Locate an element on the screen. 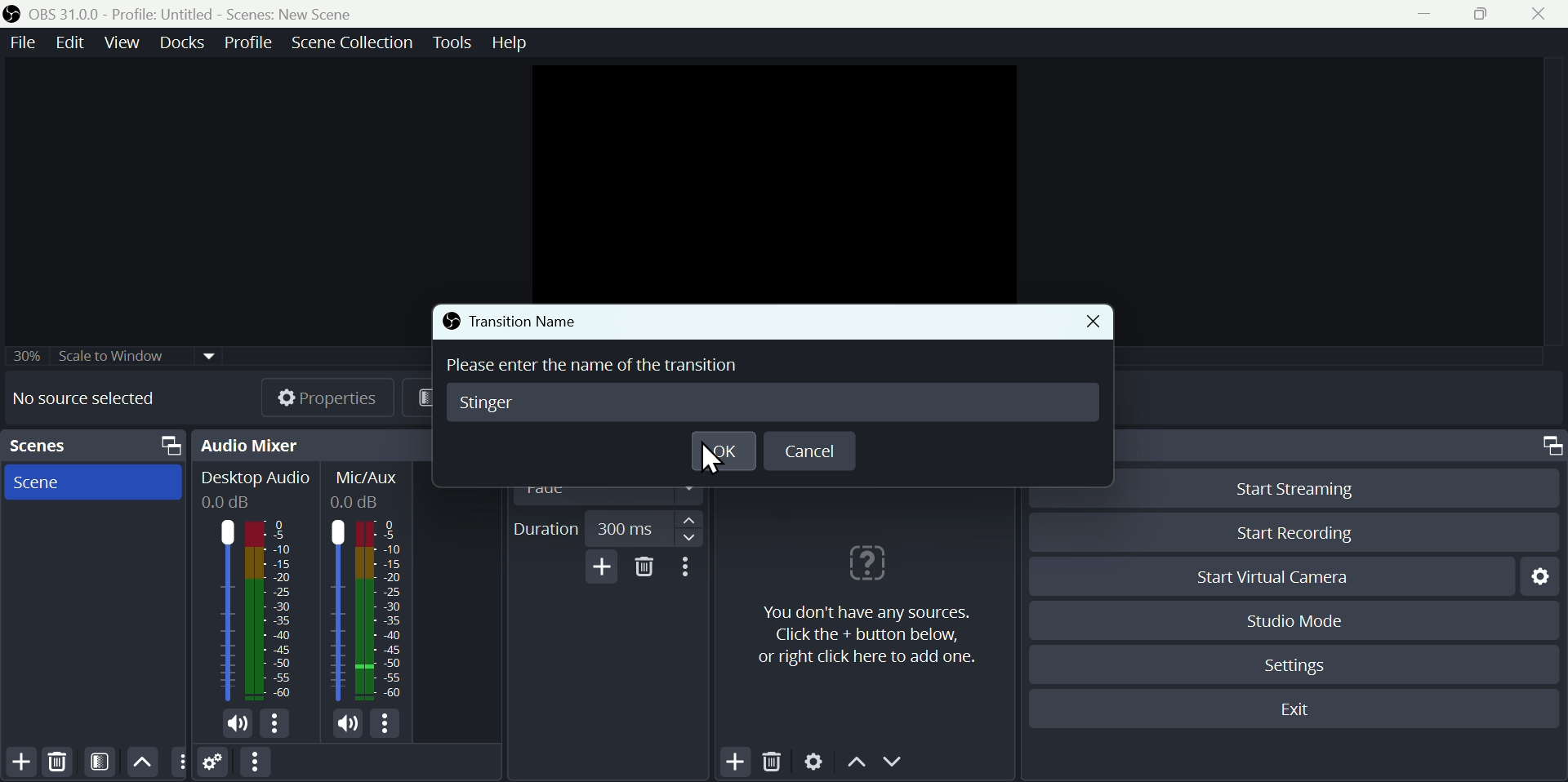  cursor on OK is located at coordinates (710, 460).